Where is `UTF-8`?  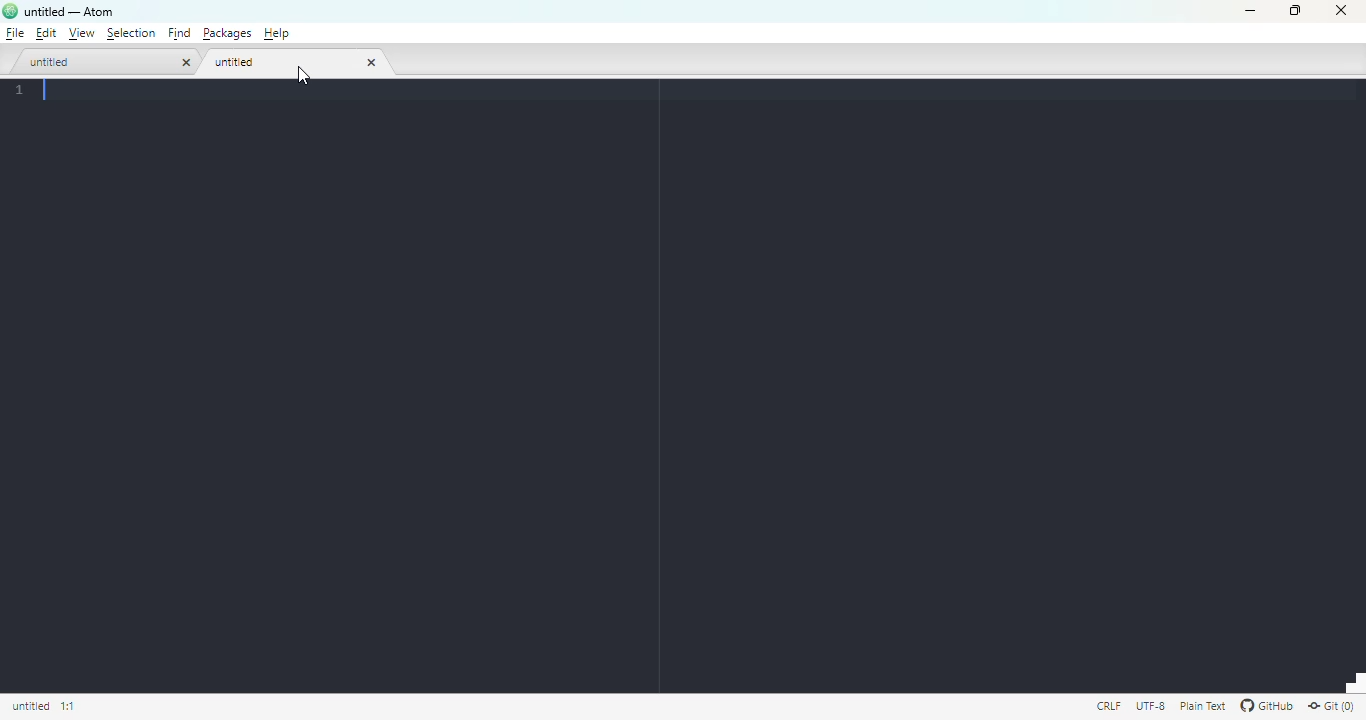
UTF-8 is located at coordinates (1151, 707).